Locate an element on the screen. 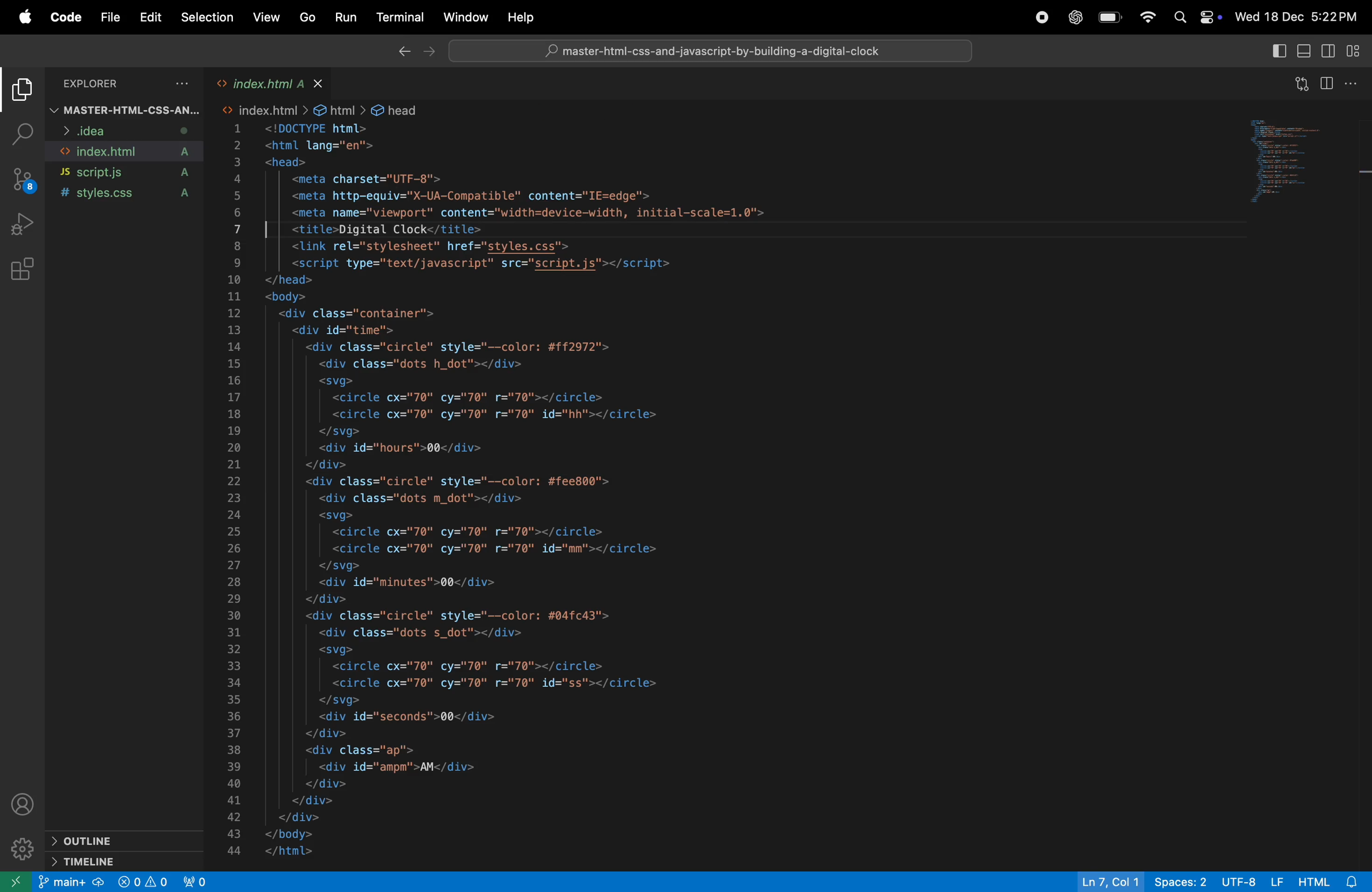 Image resolution: width=1372 pixels, height=892 pixels. link is located at coordinates (666, 108).